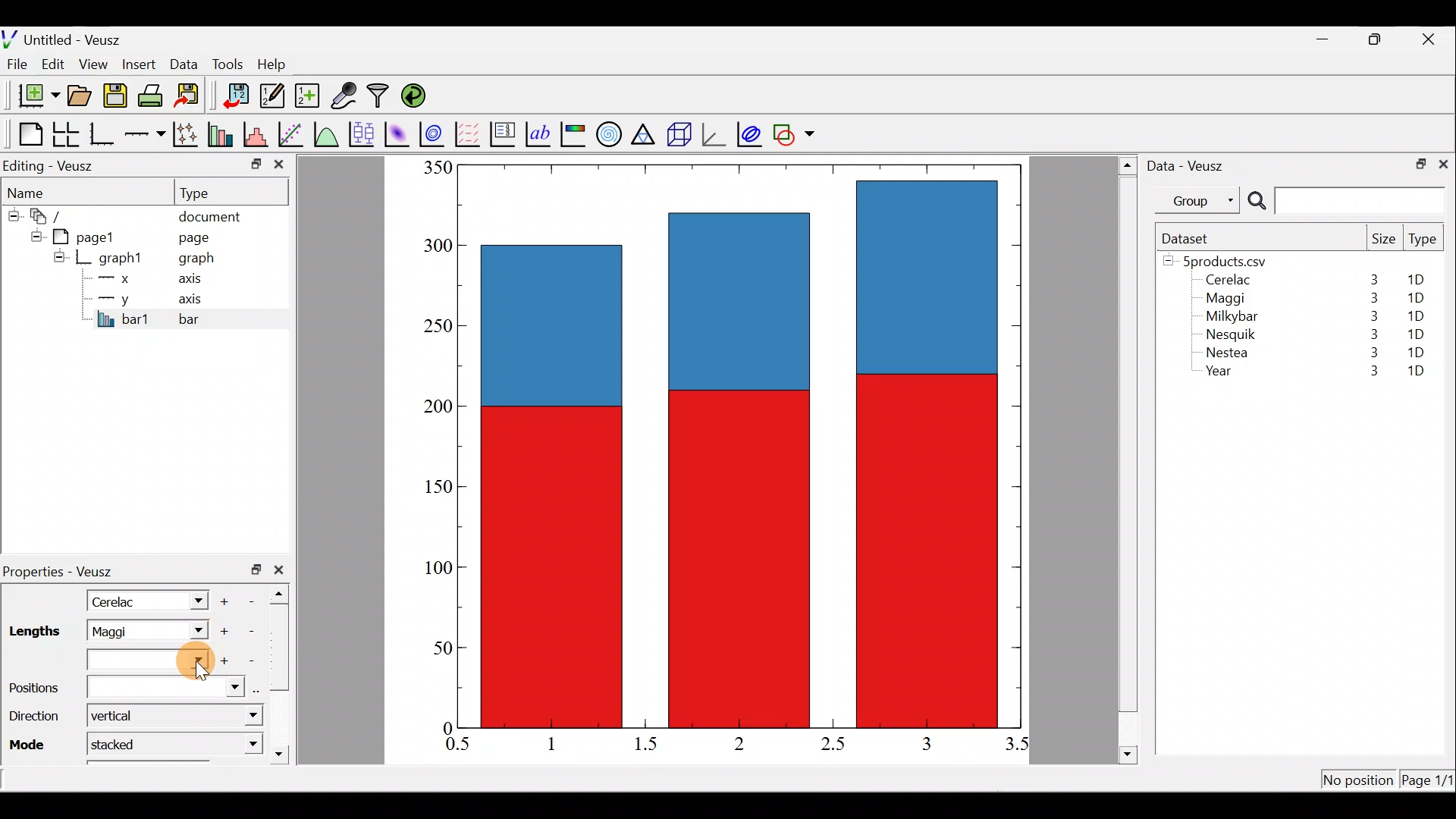 Image resolution: width=1456 pixels, height=819 pixels. Describe the element at coordinates (1430, 39) in the screenshot. I see `close` at that location.